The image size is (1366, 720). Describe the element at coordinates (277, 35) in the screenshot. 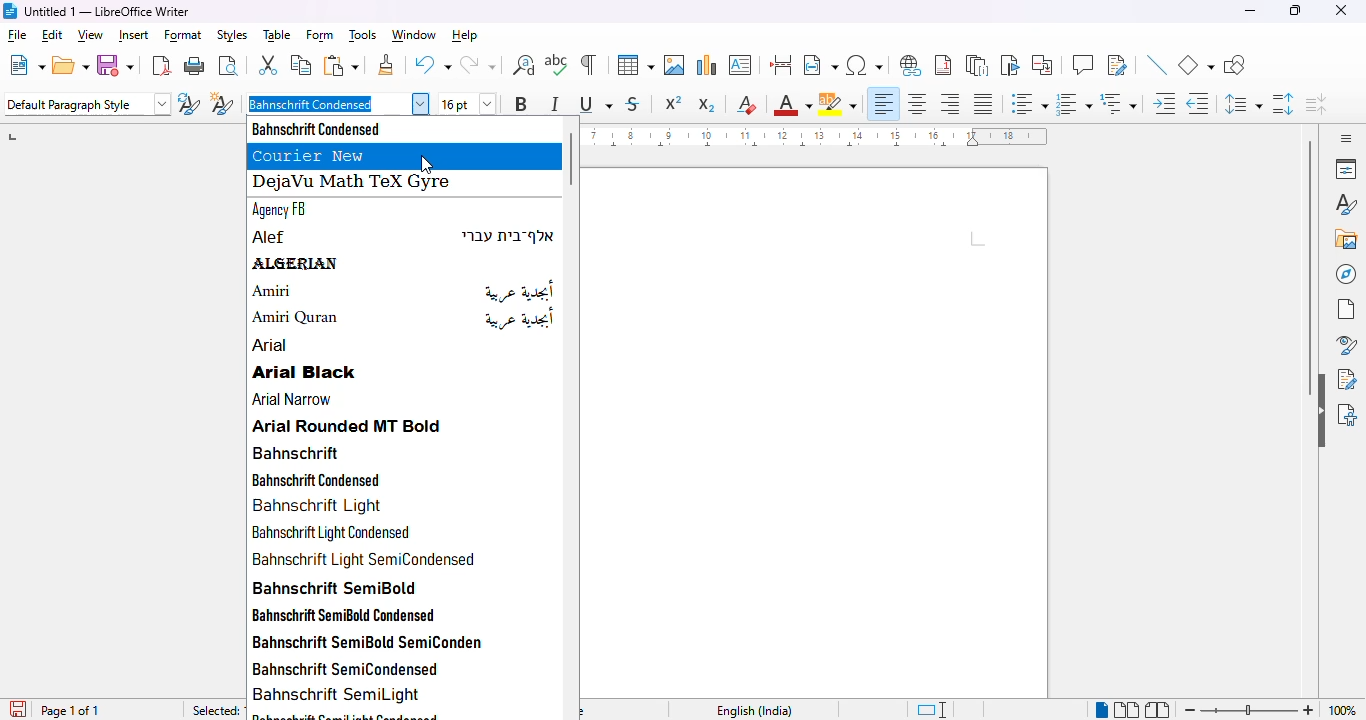

I see `table` at that location.